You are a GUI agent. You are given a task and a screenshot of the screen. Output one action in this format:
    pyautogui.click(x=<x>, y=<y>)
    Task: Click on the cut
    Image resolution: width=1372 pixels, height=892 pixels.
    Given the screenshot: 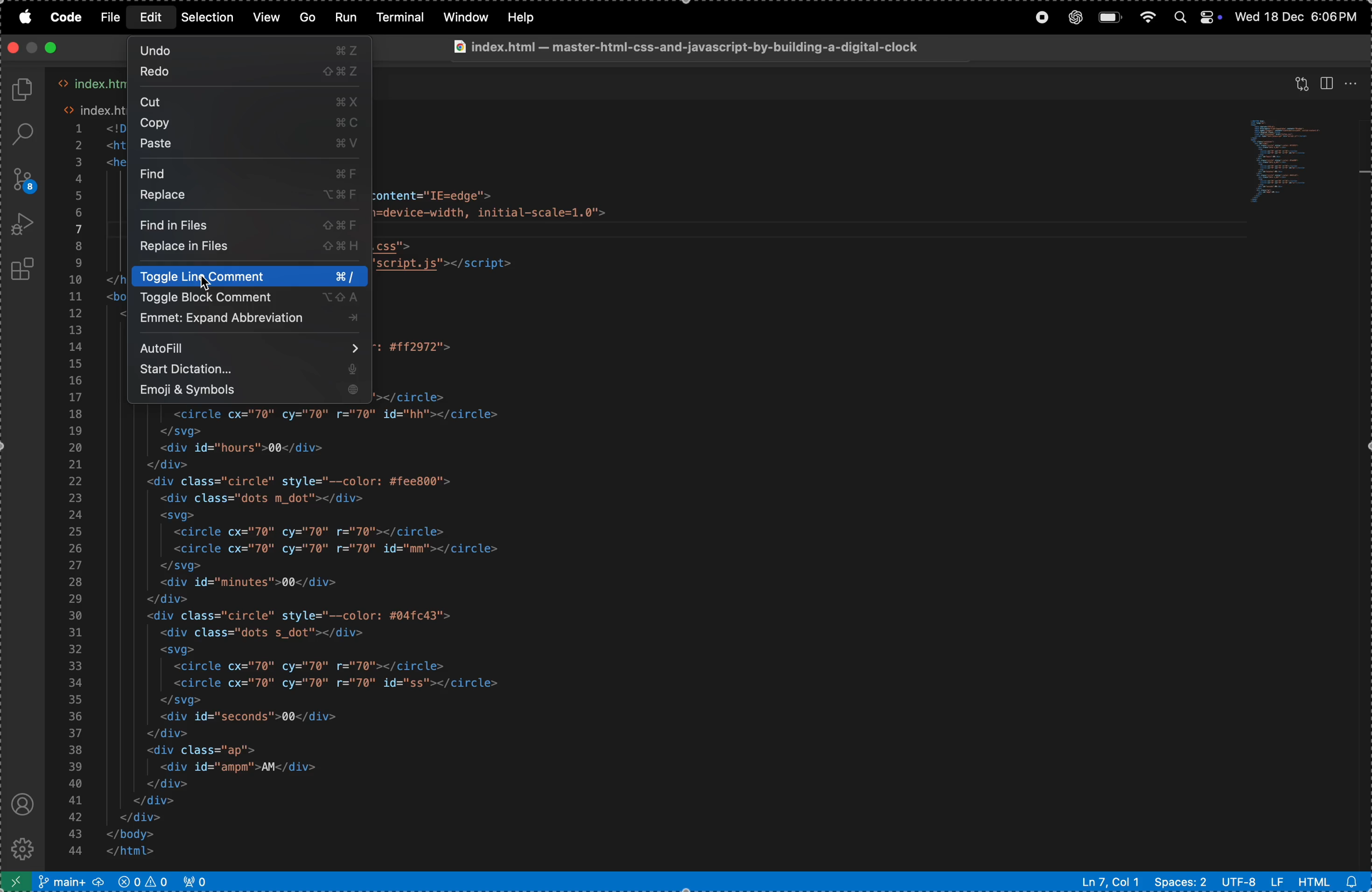 What is the action you would take?
    pyautogui.click(x=252, y=101)
    